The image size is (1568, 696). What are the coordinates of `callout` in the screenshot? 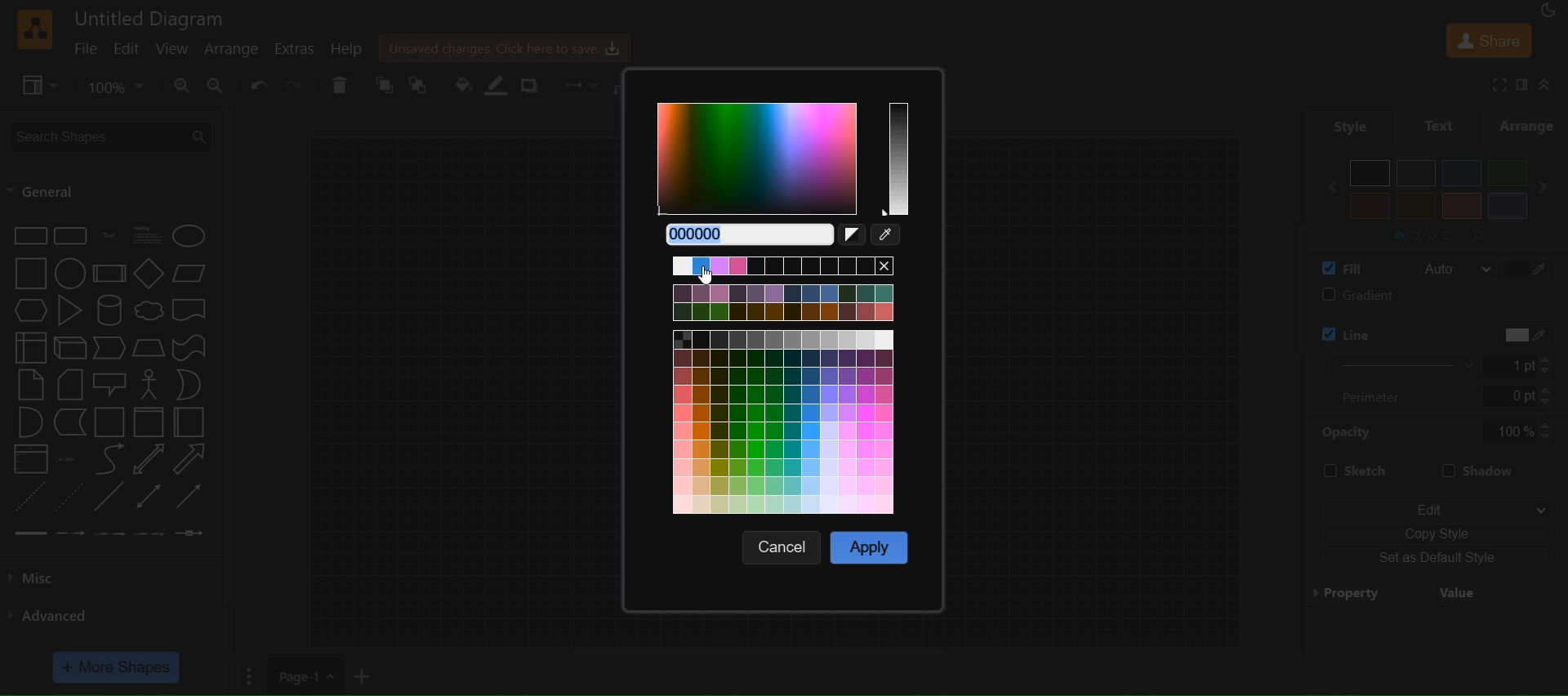 It's located at (112, 384).